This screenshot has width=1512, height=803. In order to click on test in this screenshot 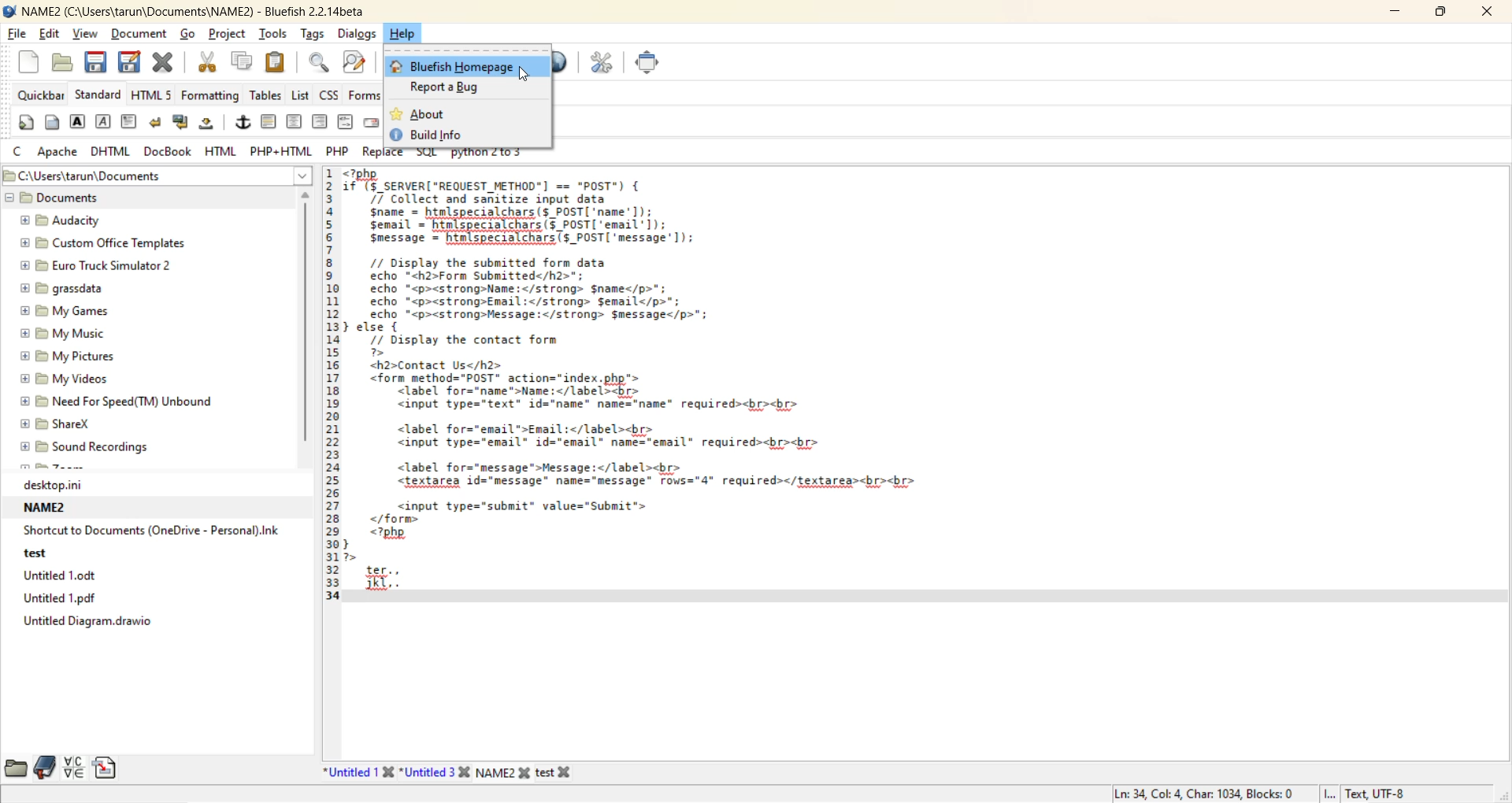, I will do `click(559, 770)`.